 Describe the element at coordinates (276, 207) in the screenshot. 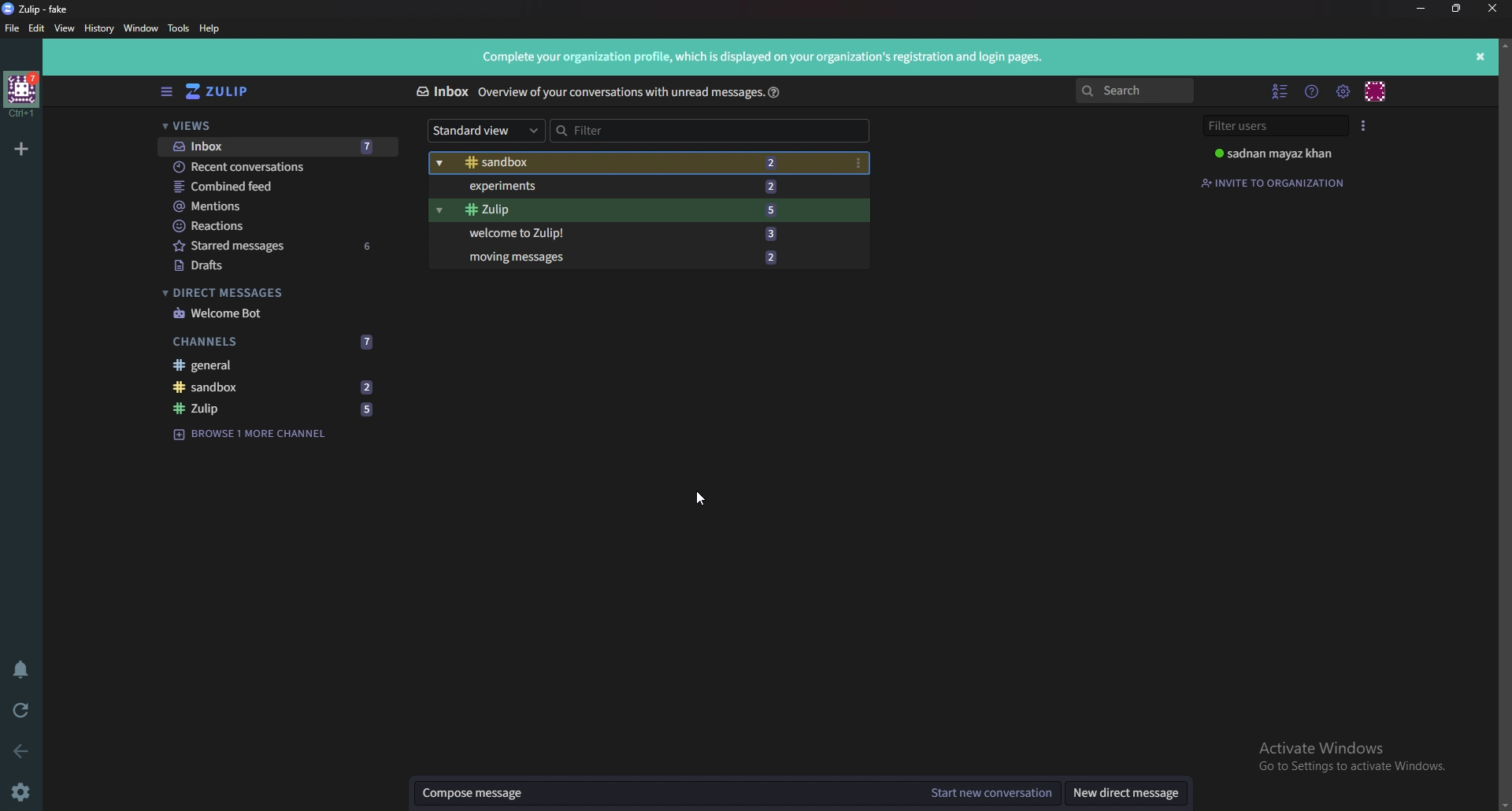

I see `Mentions` at that location.